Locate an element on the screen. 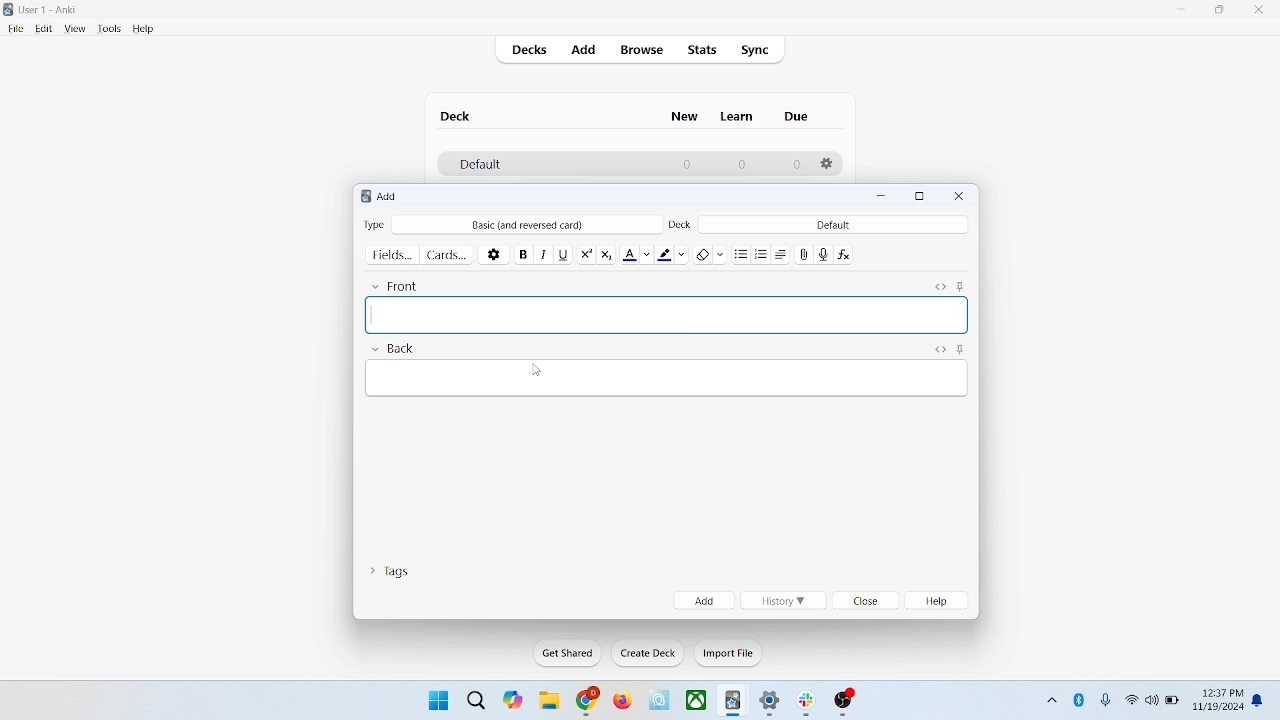  battery is located at coordinates (1173, 702).